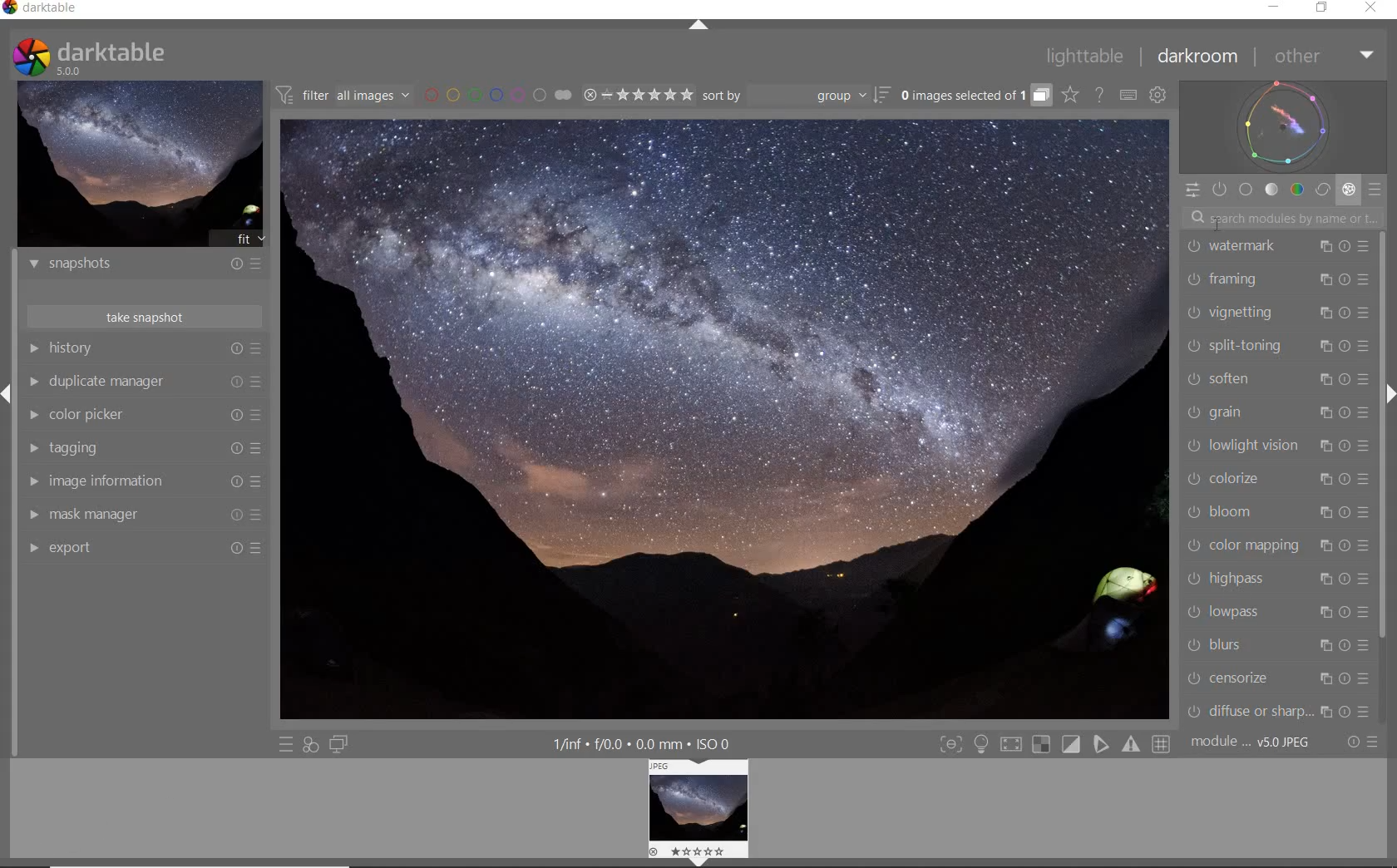 This screenshot has height=868, width=1397. I want to click on toggle gamut checking, so click(1135, 745).